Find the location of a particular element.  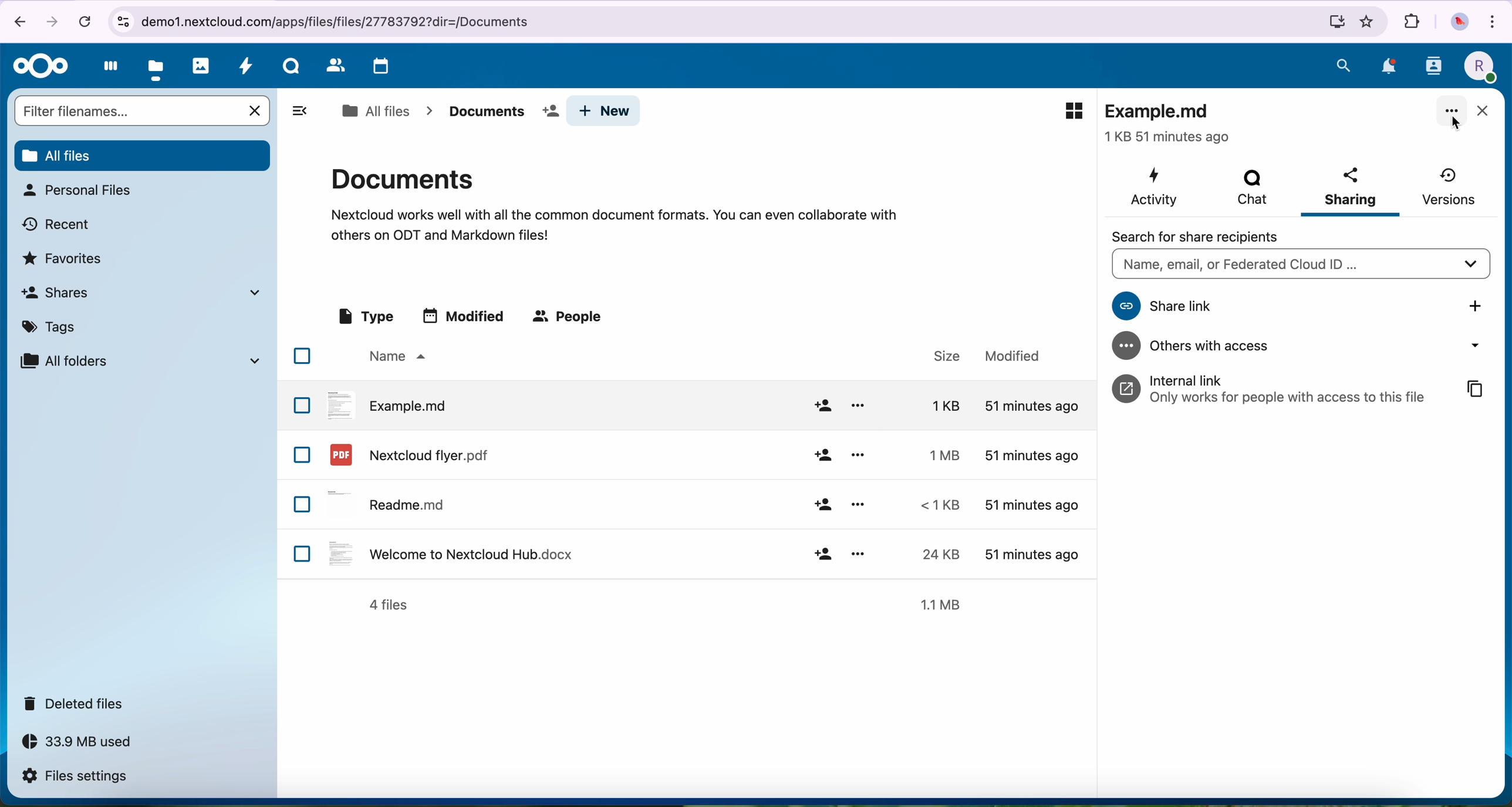

example.md is located at coordinates (388, 404).